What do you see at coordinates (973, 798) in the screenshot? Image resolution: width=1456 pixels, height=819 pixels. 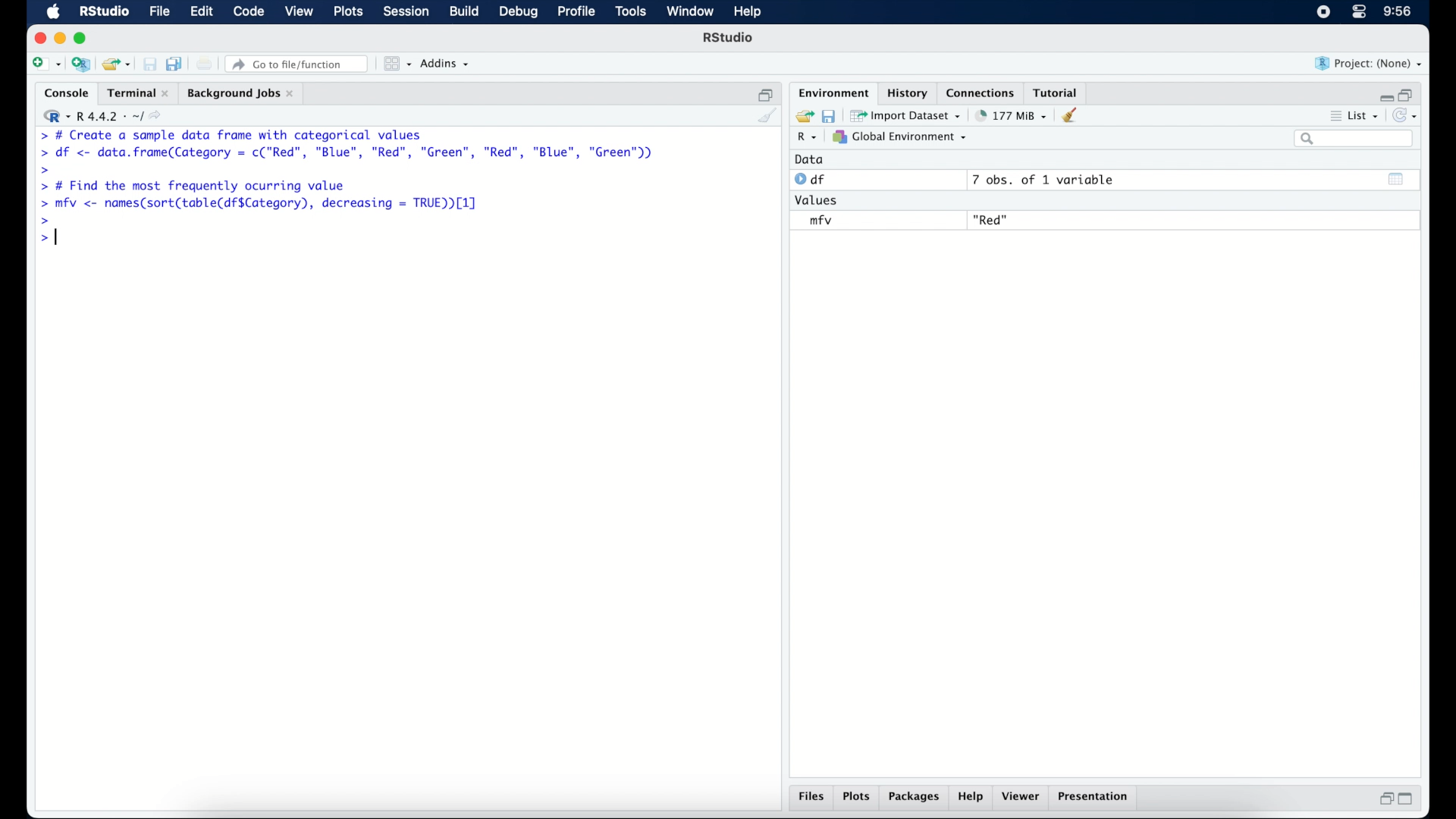 I see `help` at bounding box center [973, 798].